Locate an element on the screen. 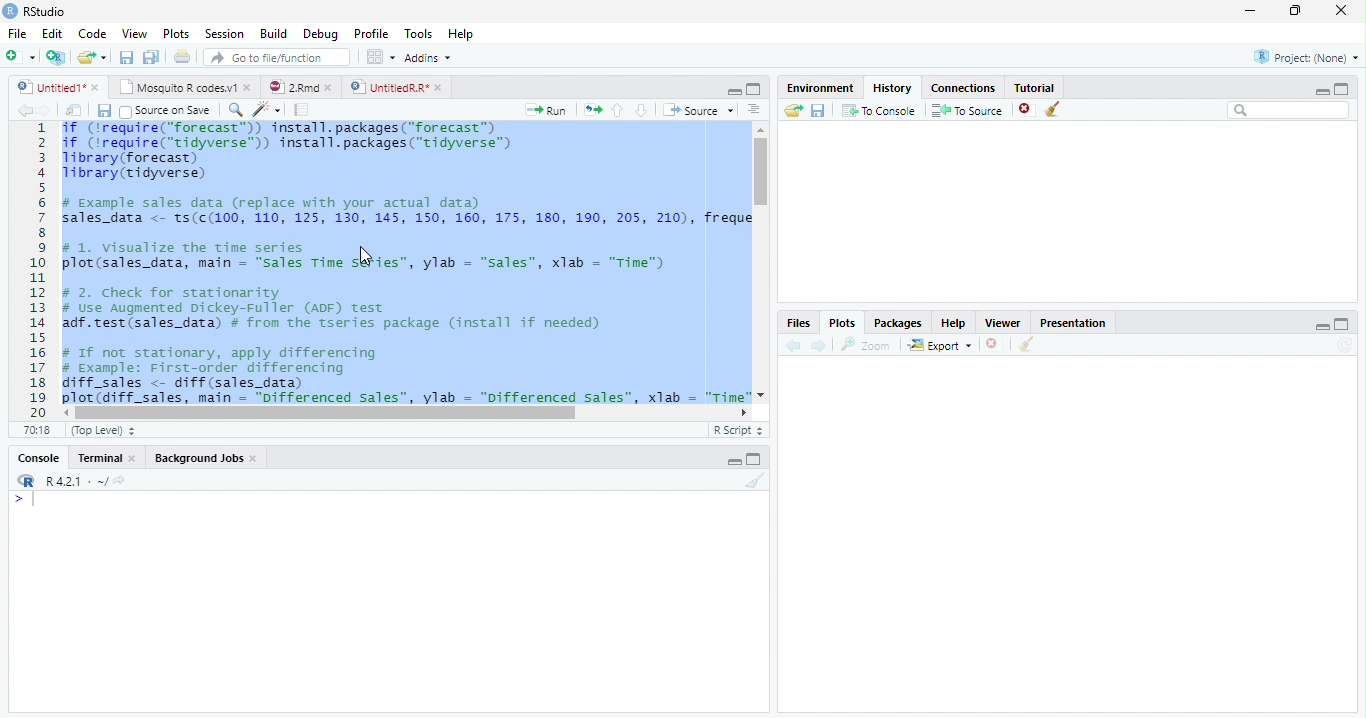 The image size is (1366, 718). Mosquito R Codes.v1 is located at coordinates (185, 88).